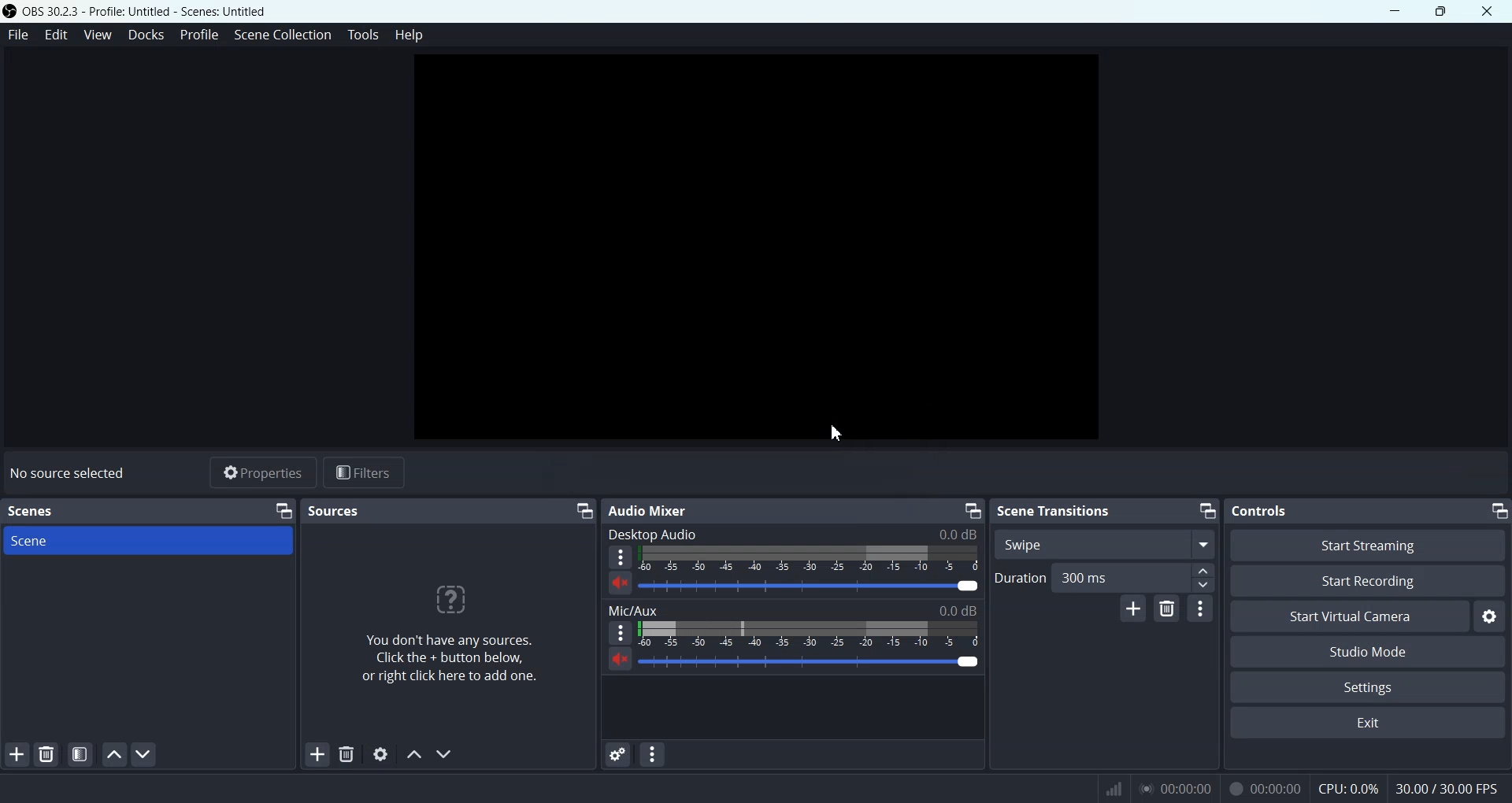 The image size is (1512, 803). Describe the element at coordinates (1173, 787) in the screenshot. I see `00:00:00` at that location.